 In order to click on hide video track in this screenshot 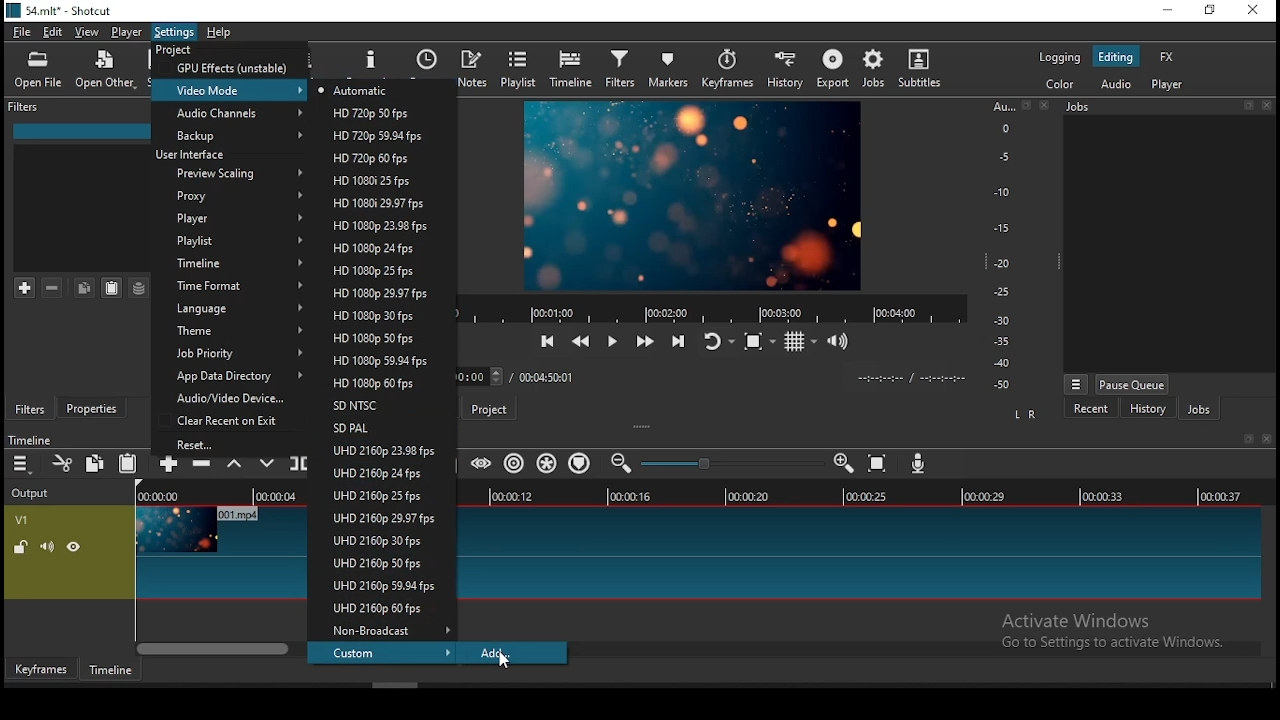, I will do `click(74, 545)`.